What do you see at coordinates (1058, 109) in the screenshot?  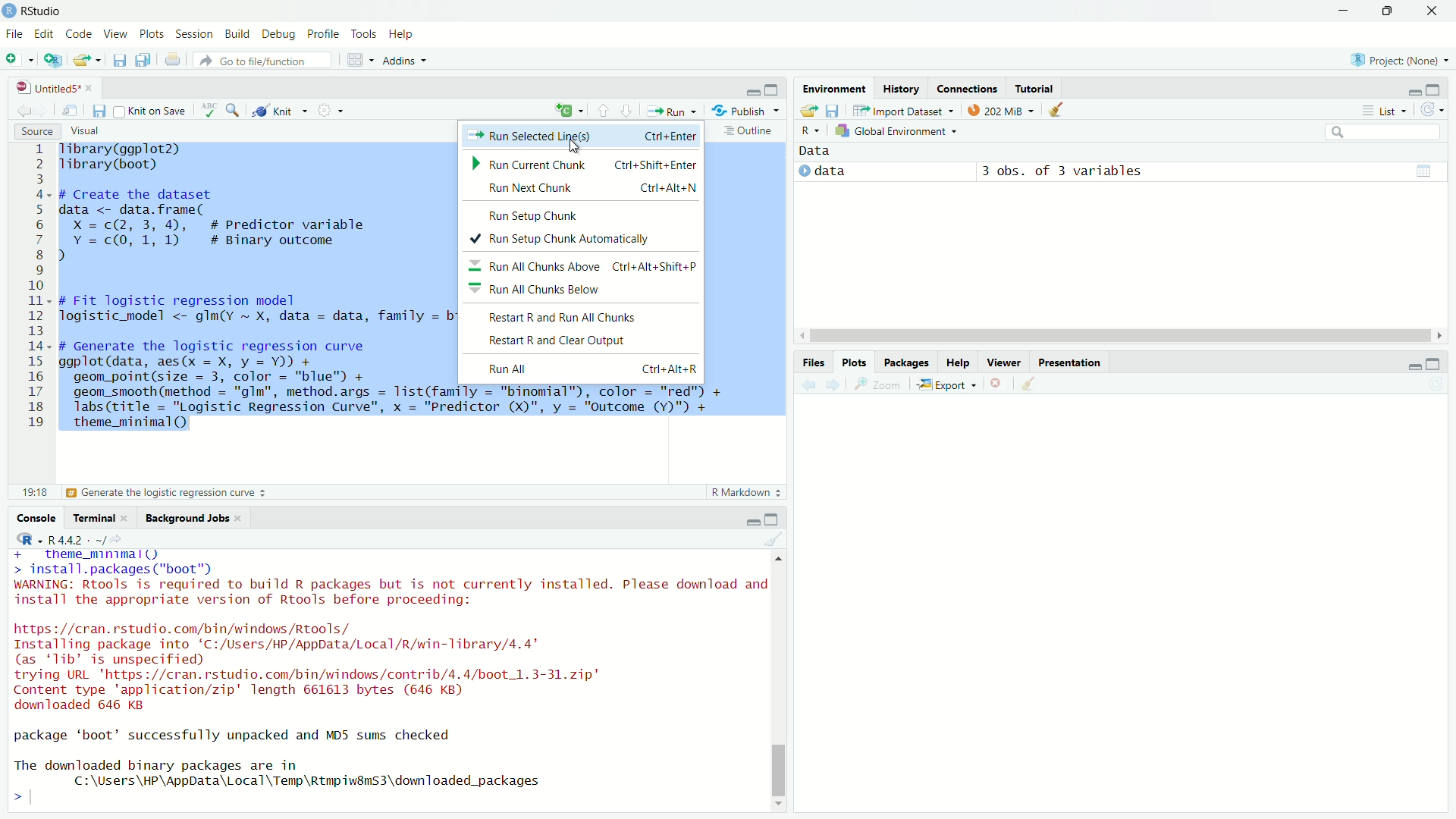 I see `Clear objects from workspace` at bounding box center [1058, 109].